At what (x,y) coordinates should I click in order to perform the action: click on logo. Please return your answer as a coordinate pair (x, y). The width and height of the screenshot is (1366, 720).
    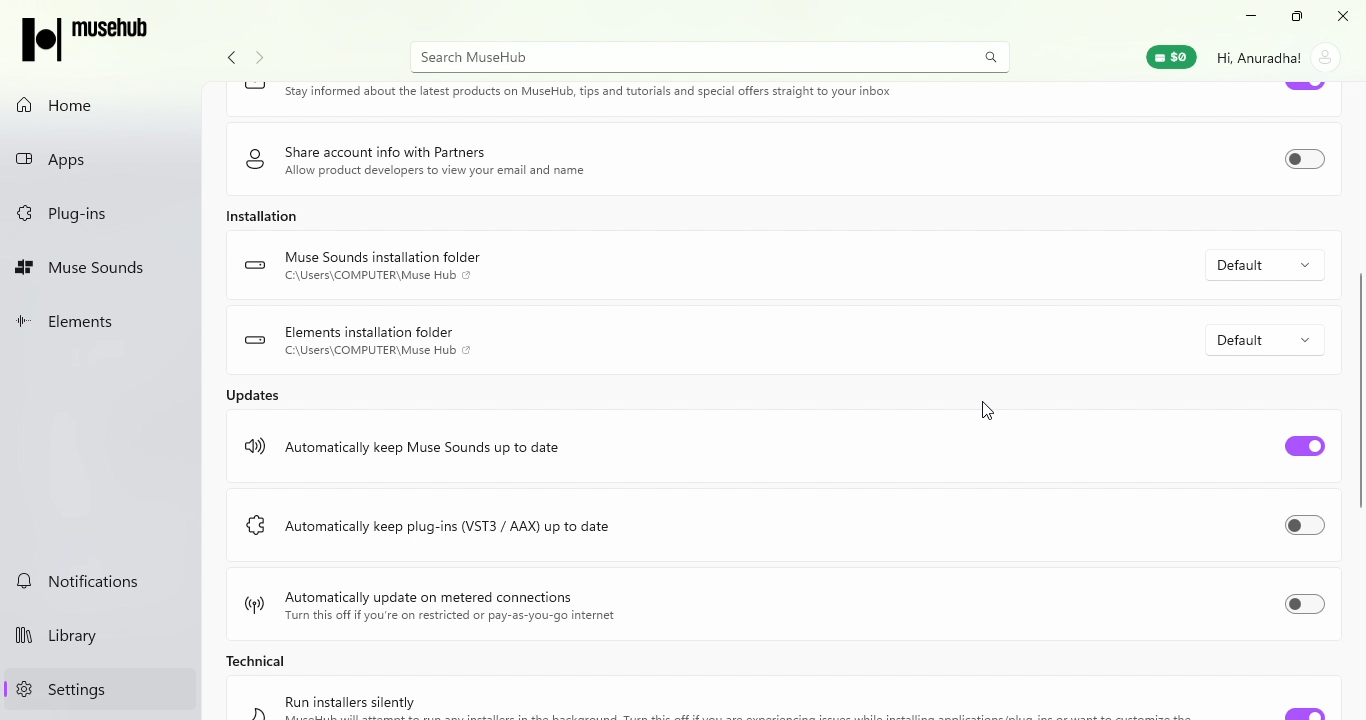
    Looking at the image, I should click on (255, 158).